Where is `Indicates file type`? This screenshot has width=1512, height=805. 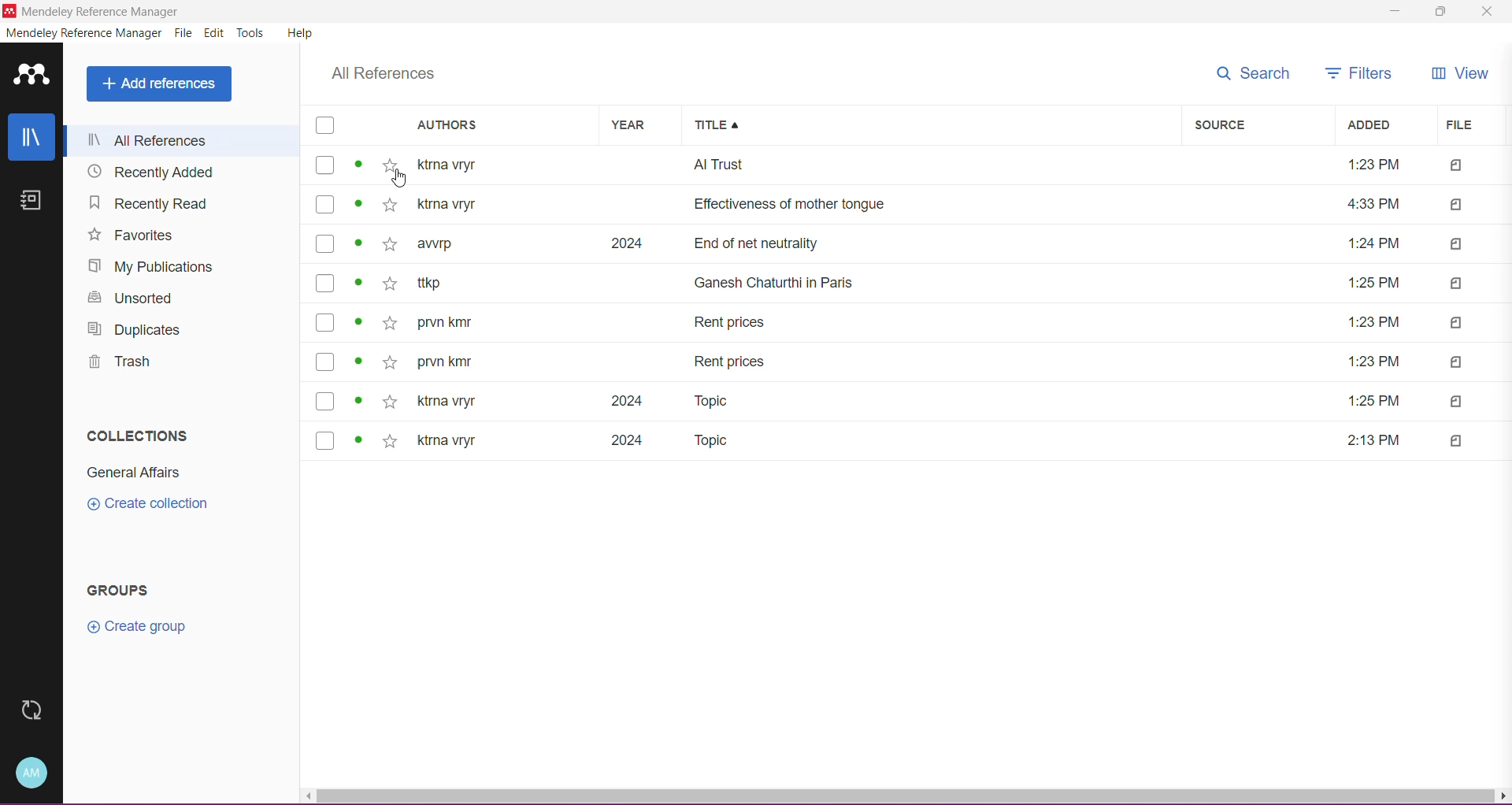 Indicates file type is located at coordinates (1457, 166).